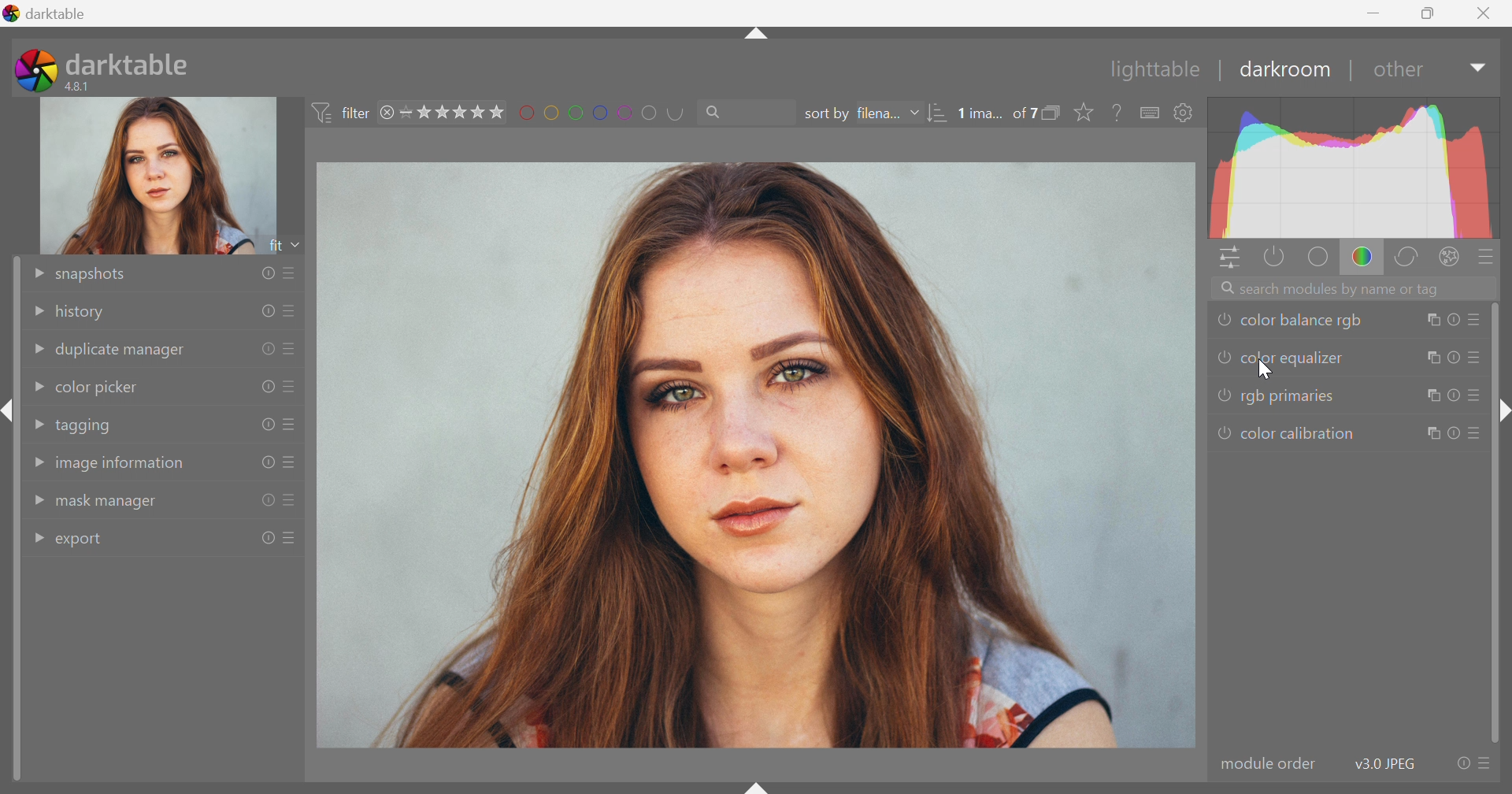 The image size is (1512, 794). What do you see at coordinates (1478, 433) in the screenshot?
I see `presets` at bounding box center [1478, 433].